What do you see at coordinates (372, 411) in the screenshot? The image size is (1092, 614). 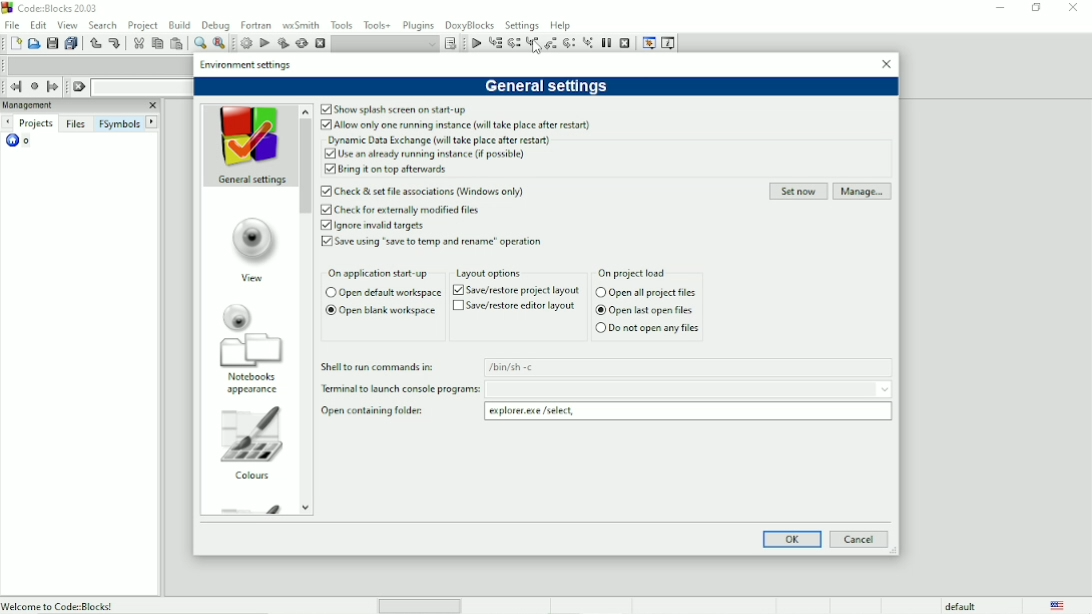 I see `Open containing folder` at bounding box center [372, 411].